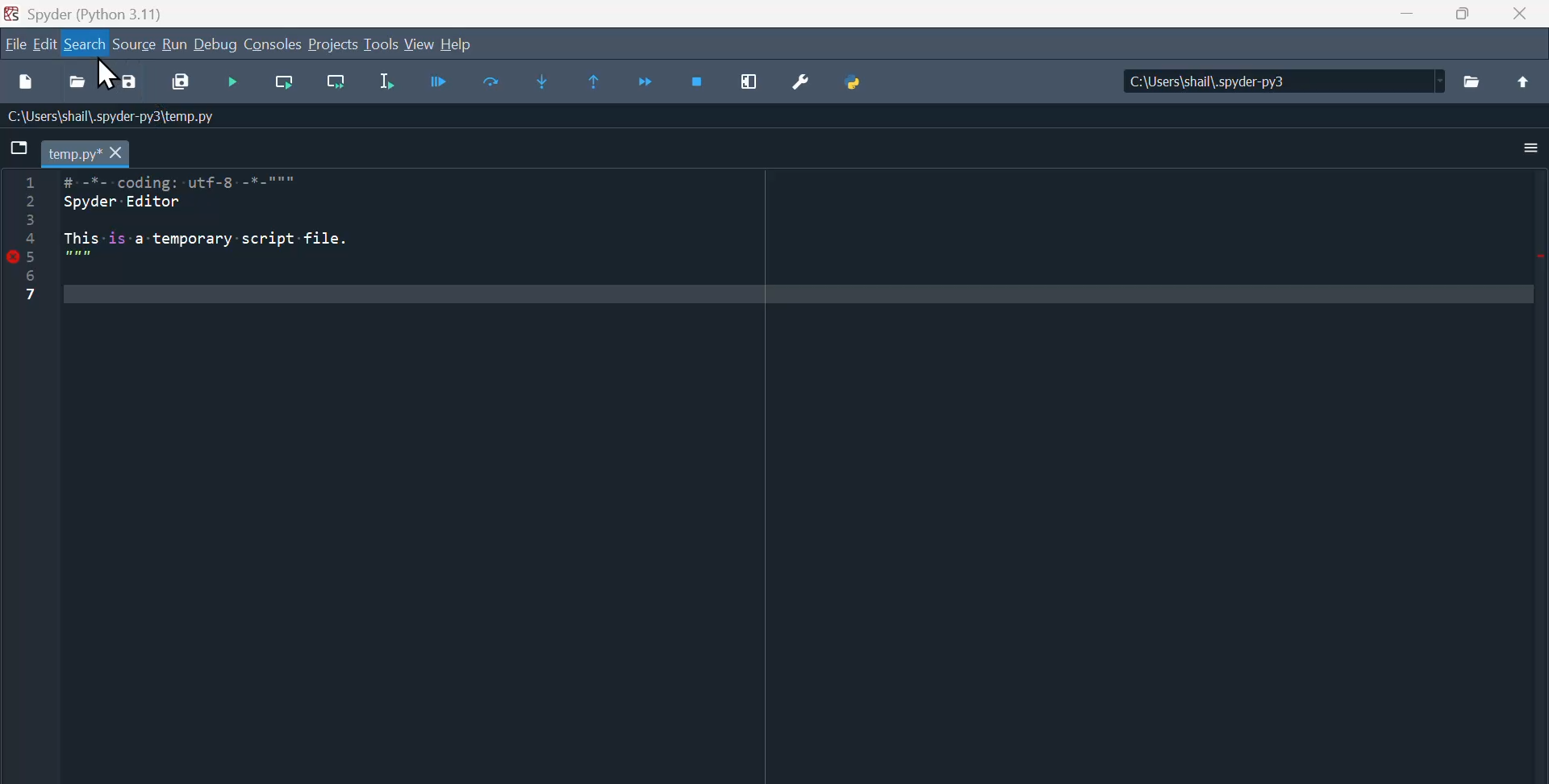 This screenshot has width=1549, height=784. Describe the element at coordinates (337, 81) in the screenshot. I see `Run current cell go to the next one` at that location.